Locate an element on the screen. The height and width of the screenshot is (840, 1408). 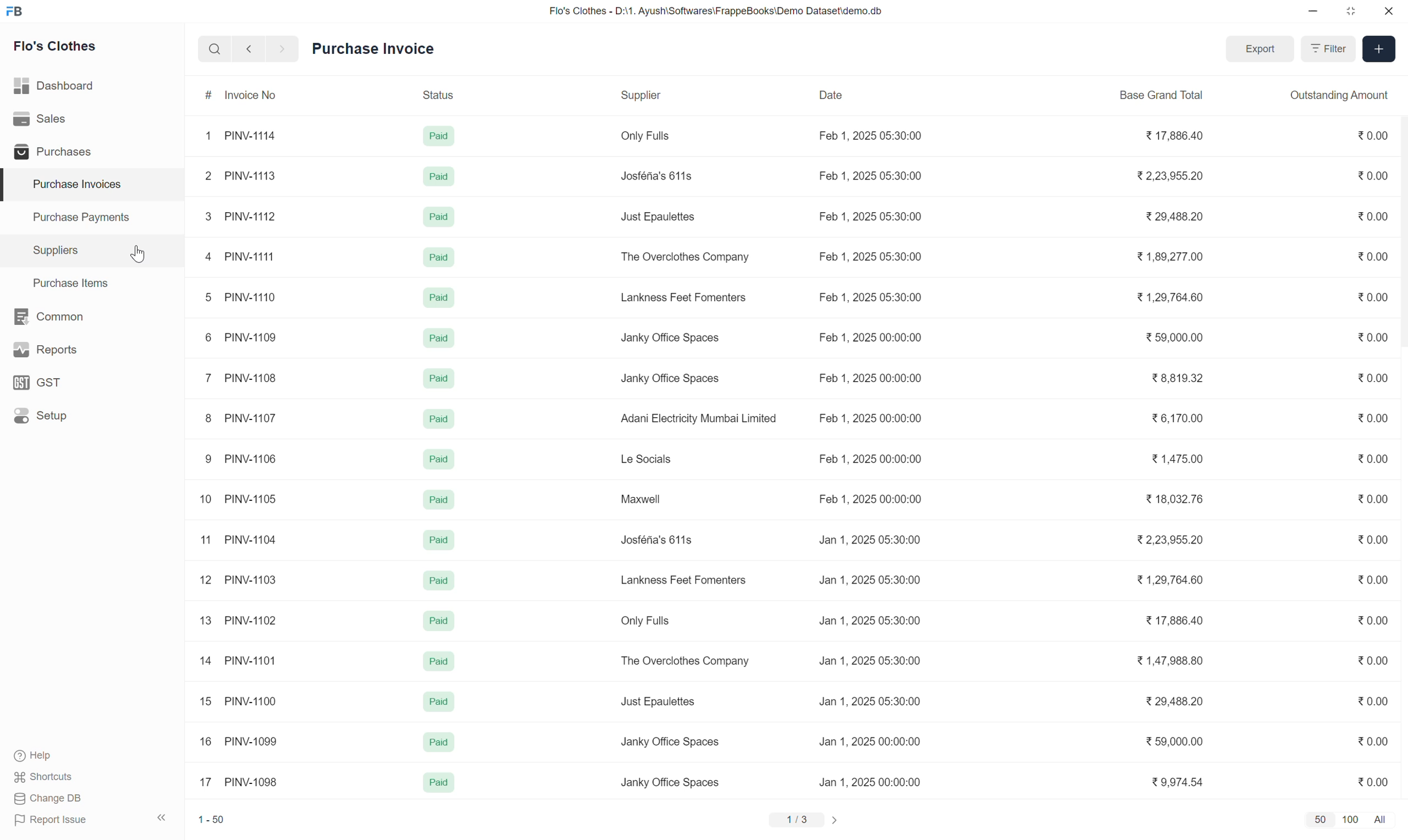
Josféna's 611s is located at coordinates (661, 177).